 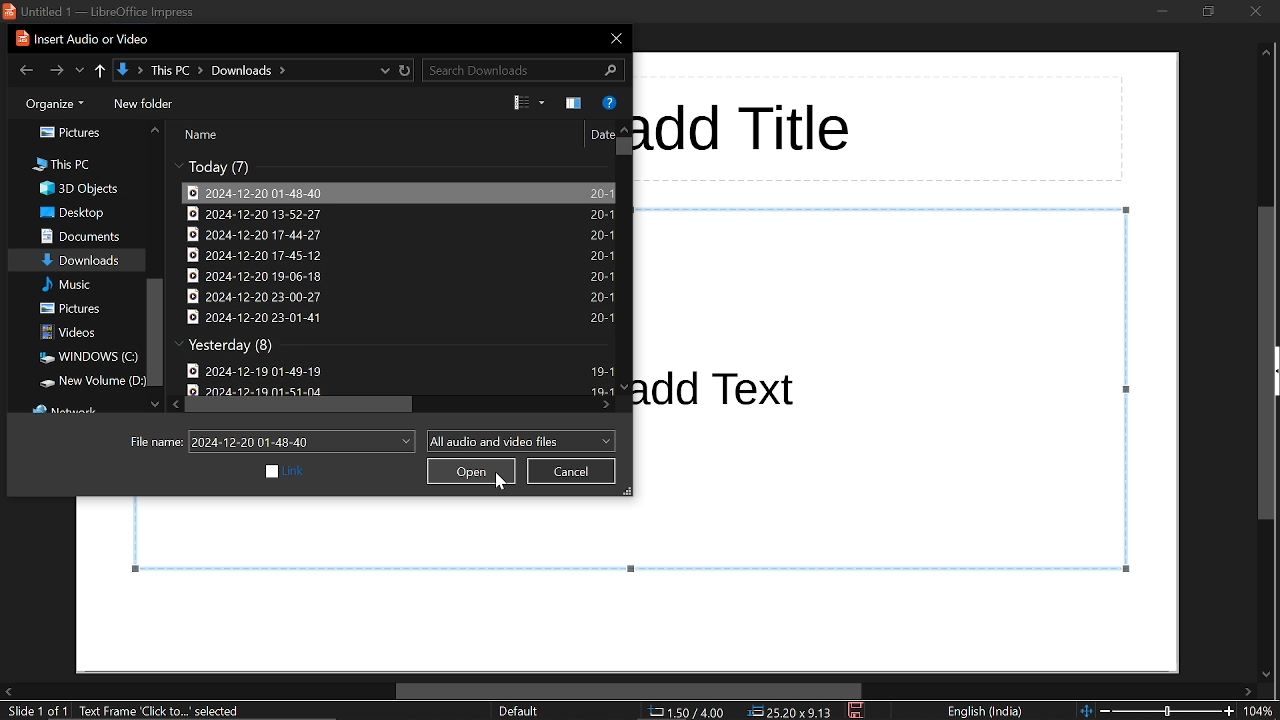 What do you see at coordinates (75, 134) in the screenshot?
I see `pictures` at bounding box center [75, 134].